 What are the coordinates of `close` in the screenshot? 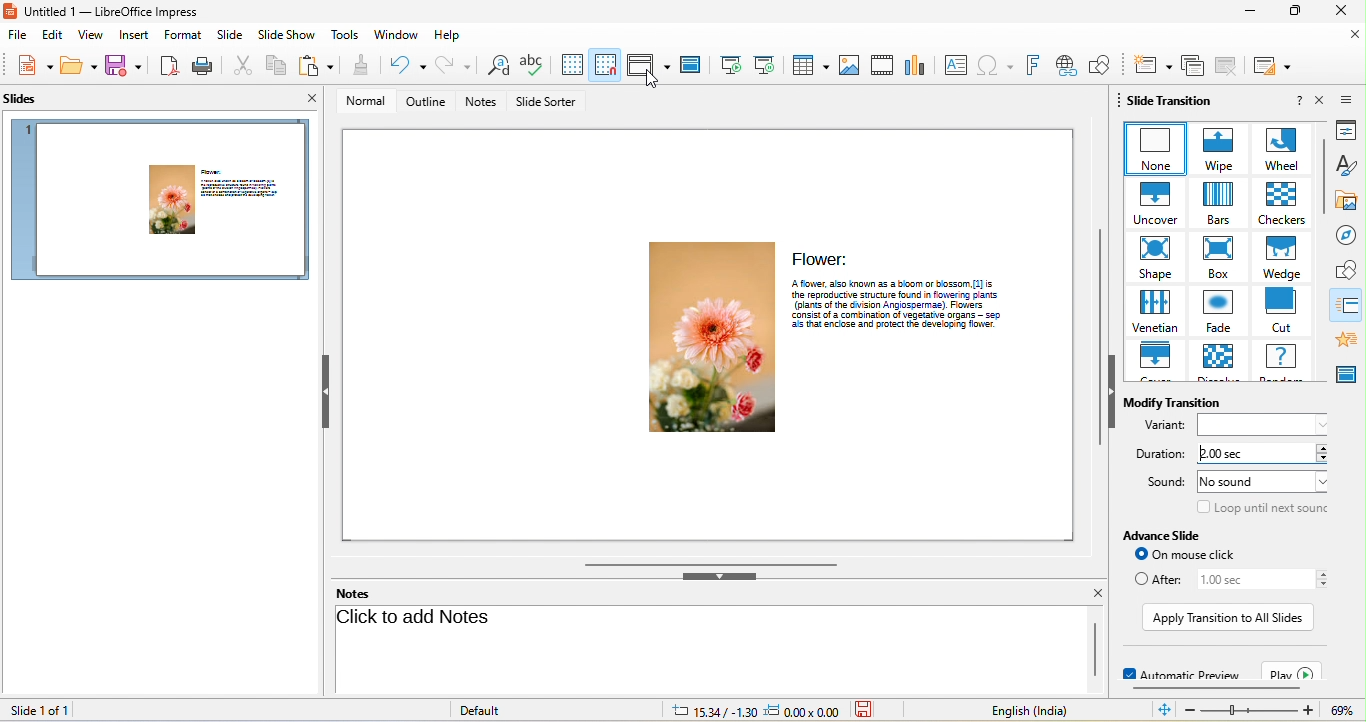 It's located at (315, 99).